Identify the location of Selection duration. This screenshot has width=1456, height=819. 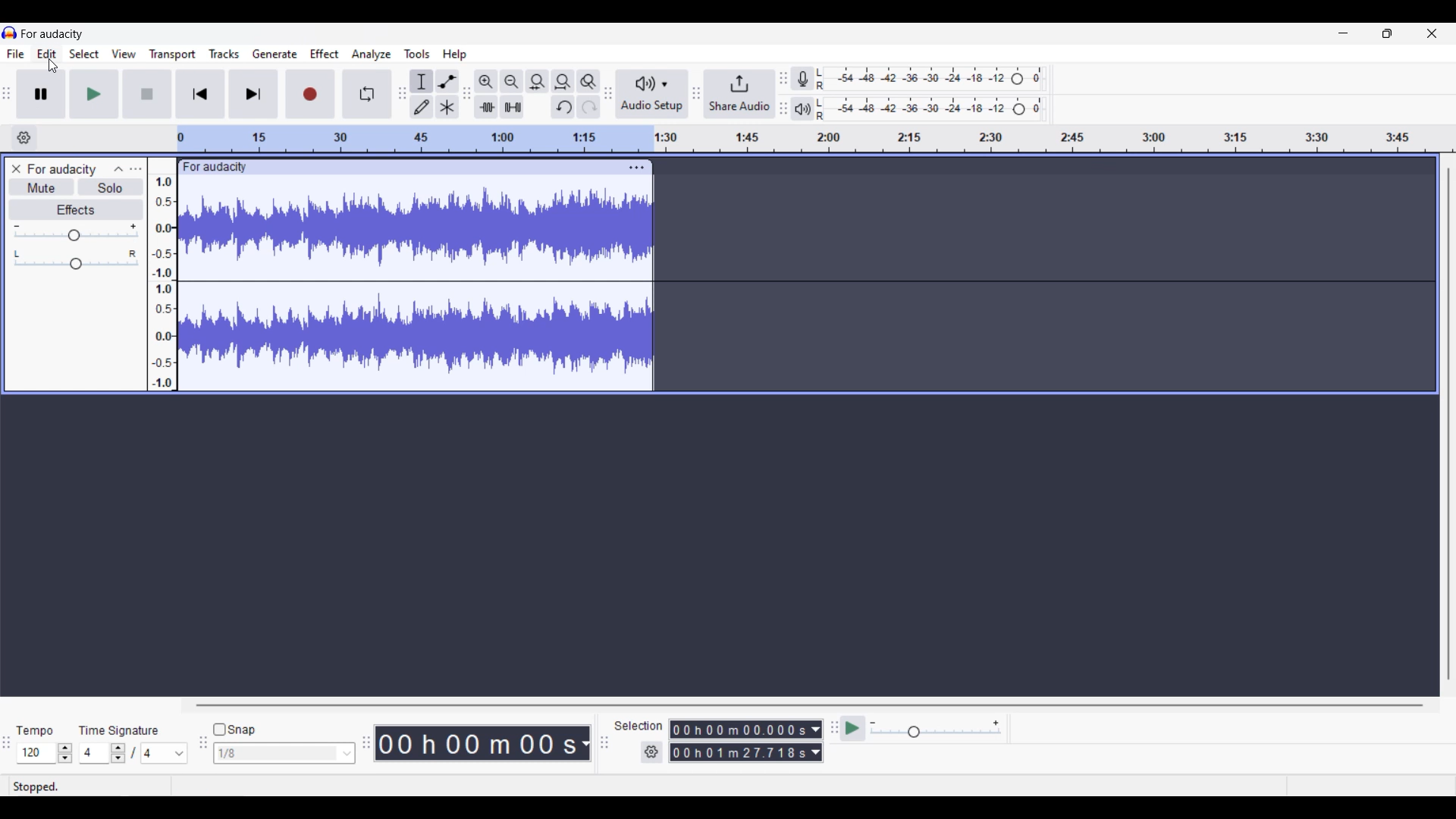
(739, 742).